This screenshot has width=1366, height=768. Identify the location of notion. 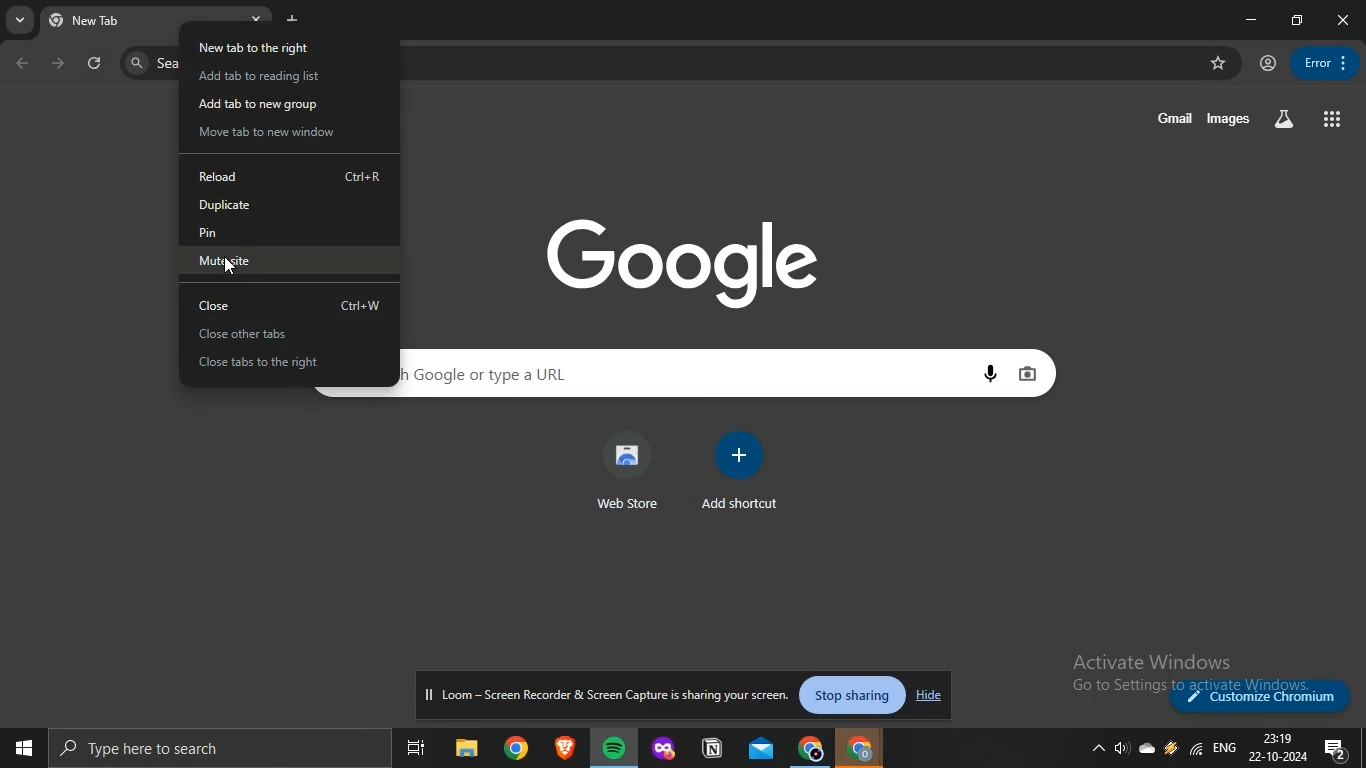
(712, 749).